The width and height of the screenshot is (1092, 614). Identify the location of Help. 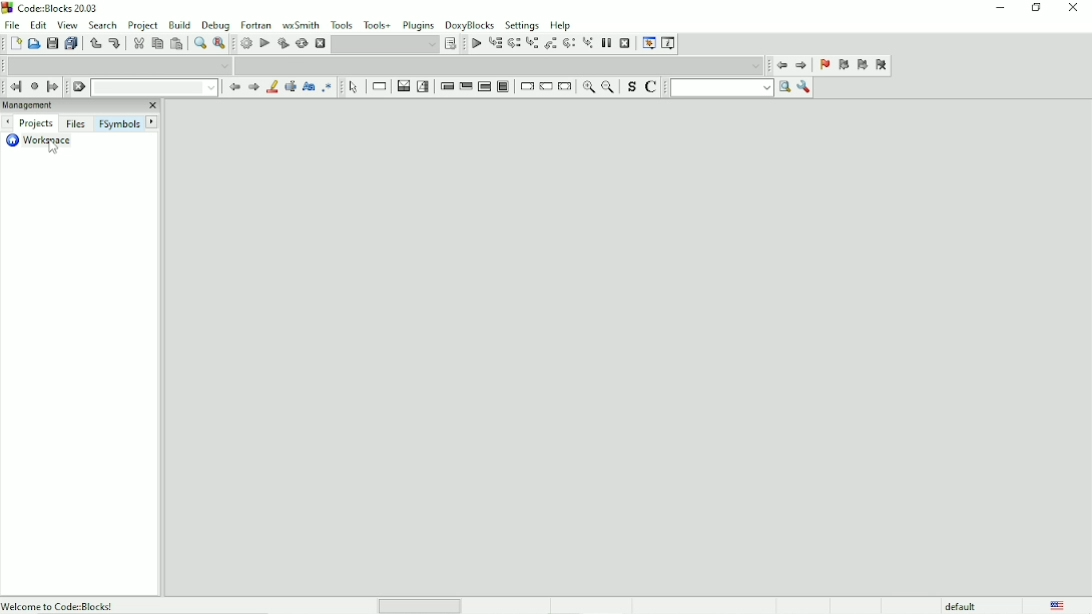
(560, 24).